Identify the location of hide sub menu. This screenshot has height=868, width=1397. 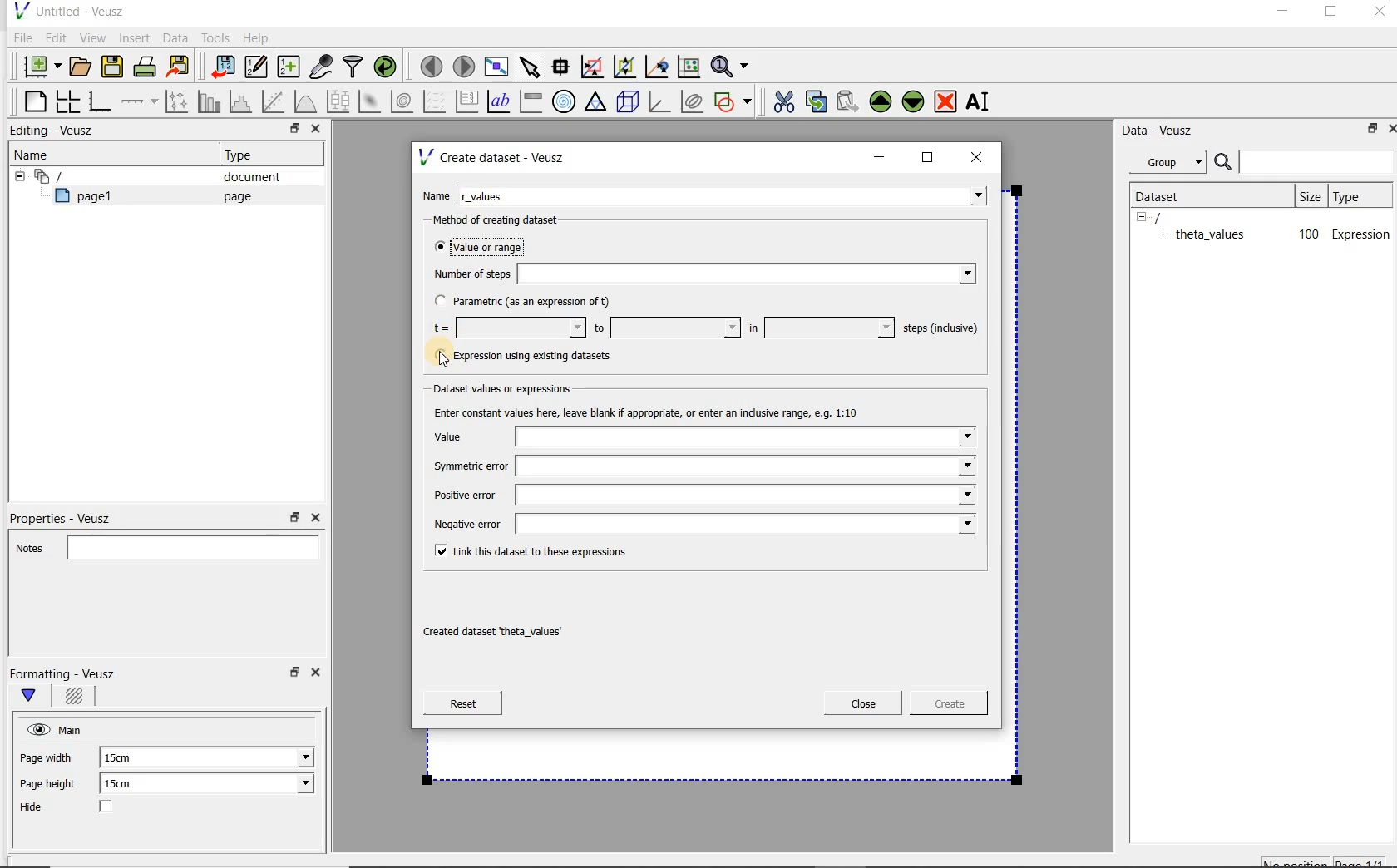
(16, 175).